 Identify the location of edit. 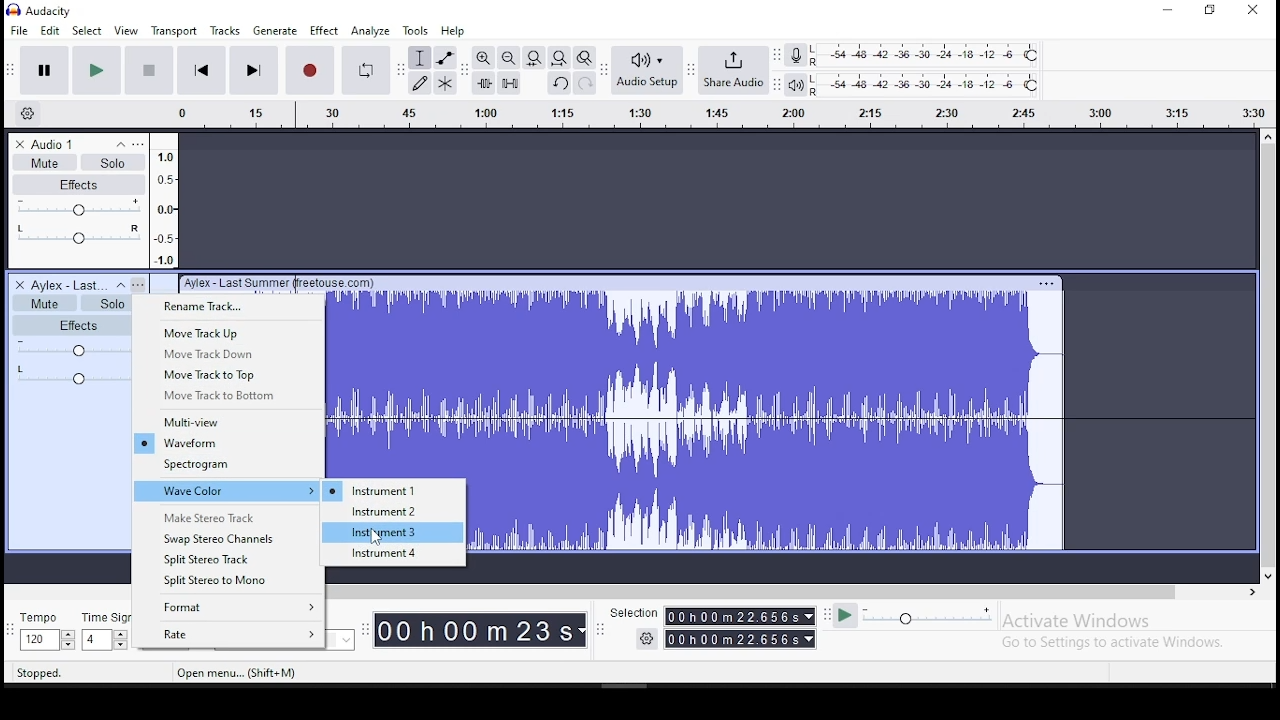
(49, 31).